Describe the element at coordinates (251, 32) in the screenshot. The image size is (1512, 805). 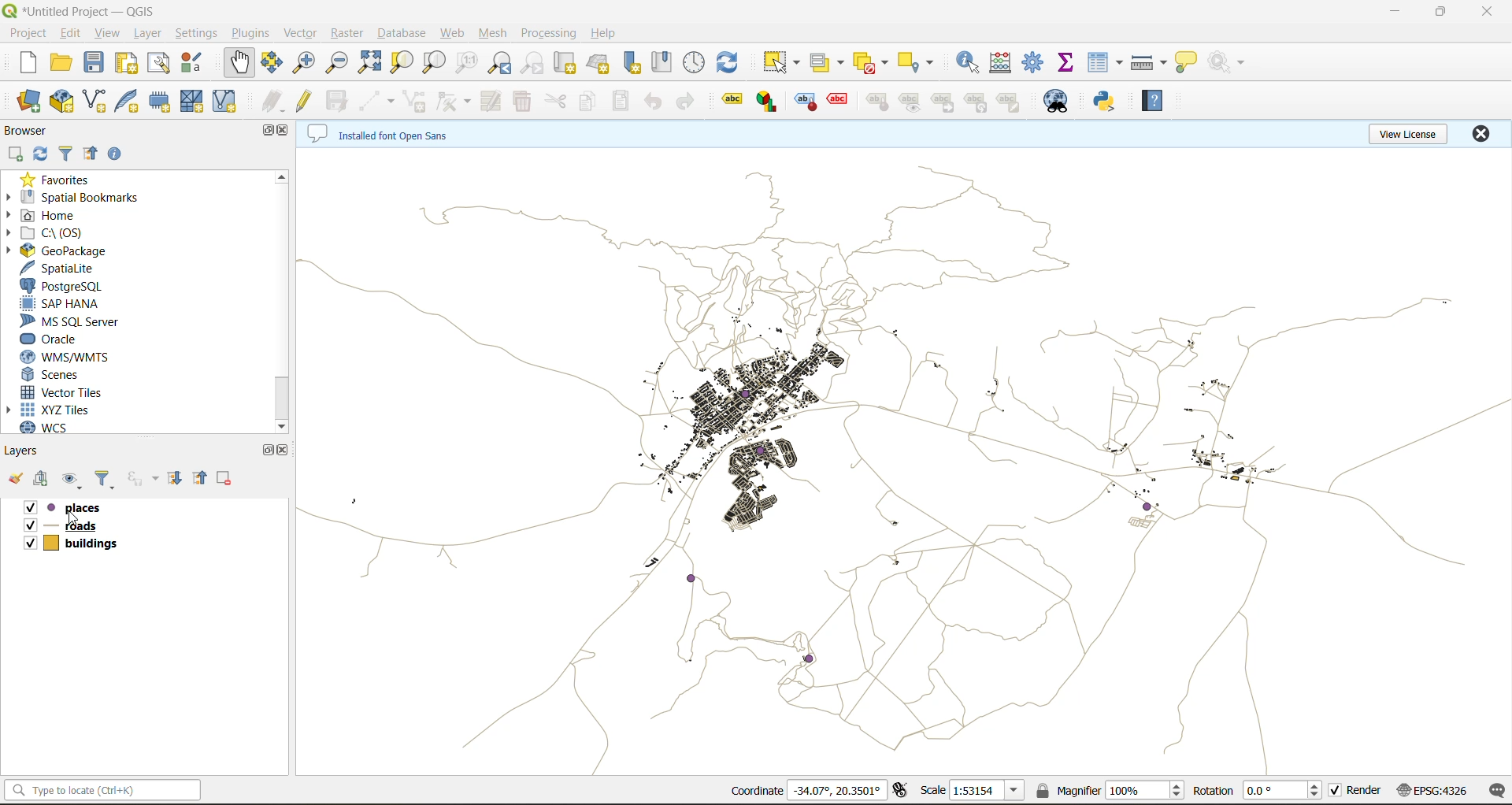
I see `plugins` at that location.